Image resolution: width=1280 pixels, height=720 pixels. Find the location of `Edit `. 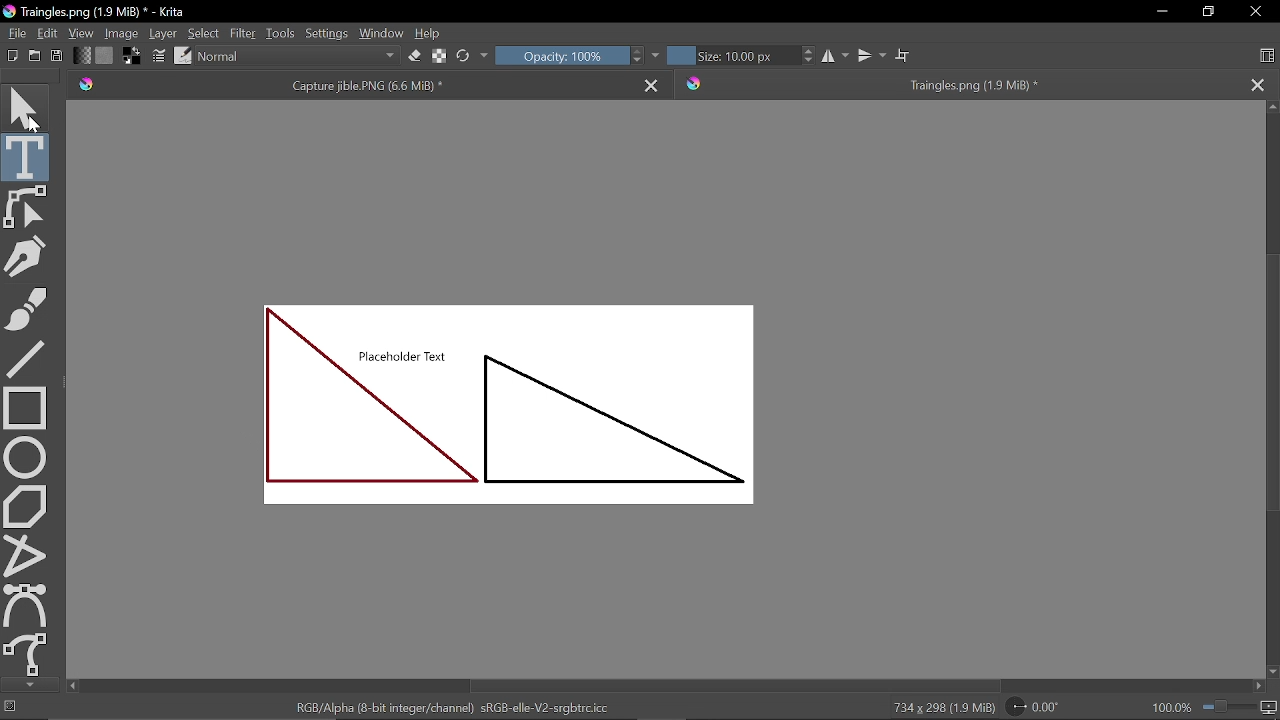

Edit  is located at coordinates (50, 34).